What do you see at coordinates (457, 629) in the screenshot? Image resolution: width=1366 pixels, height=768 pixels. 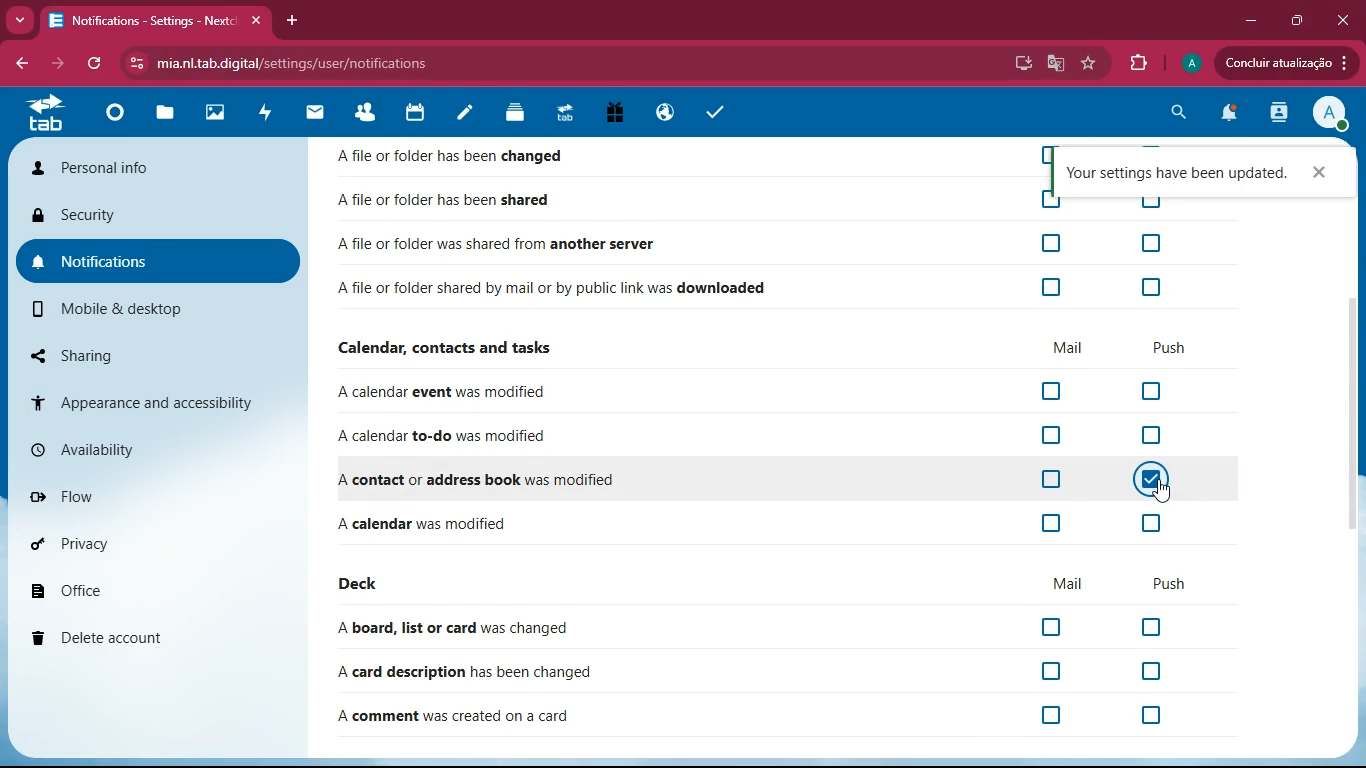 I see `A board, list or card was changed` at bounding box center [457, 629].